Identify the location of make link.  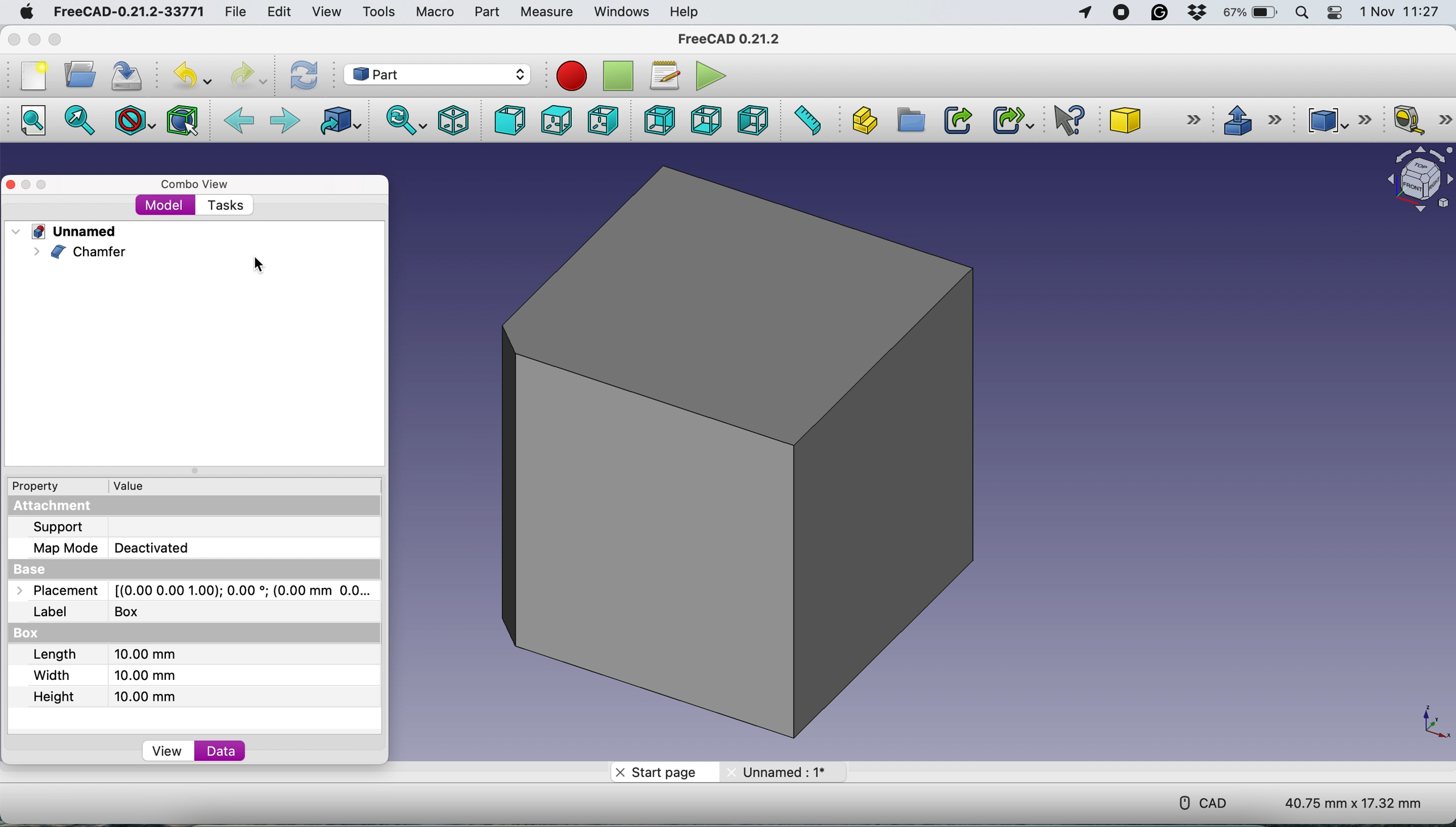
(956, 120).